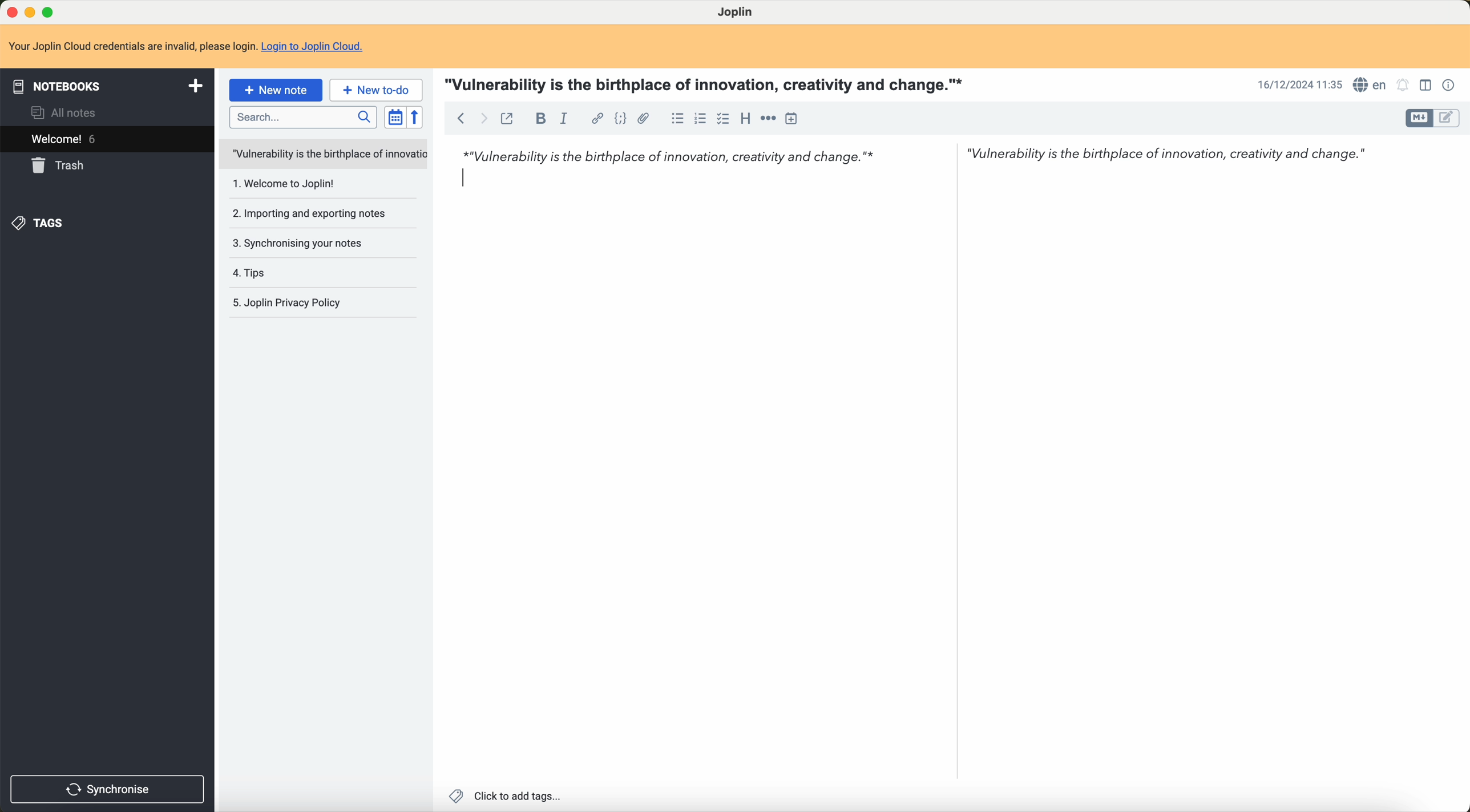 The image size is (1470, 812). I want to click on hyperlink, so click(595, 117).